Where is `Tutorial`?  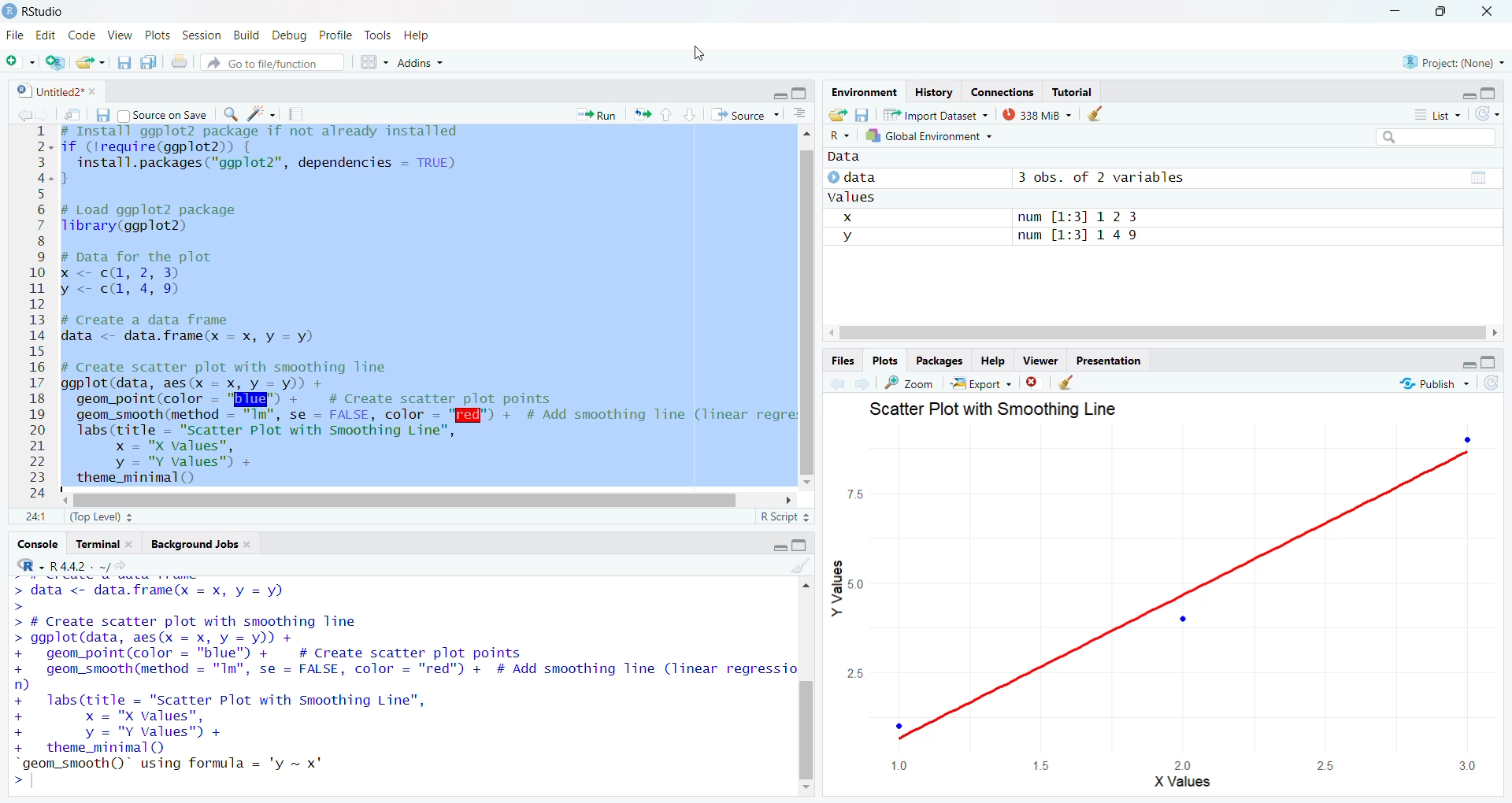
Tutorial is located at coordinates (1077, 92).